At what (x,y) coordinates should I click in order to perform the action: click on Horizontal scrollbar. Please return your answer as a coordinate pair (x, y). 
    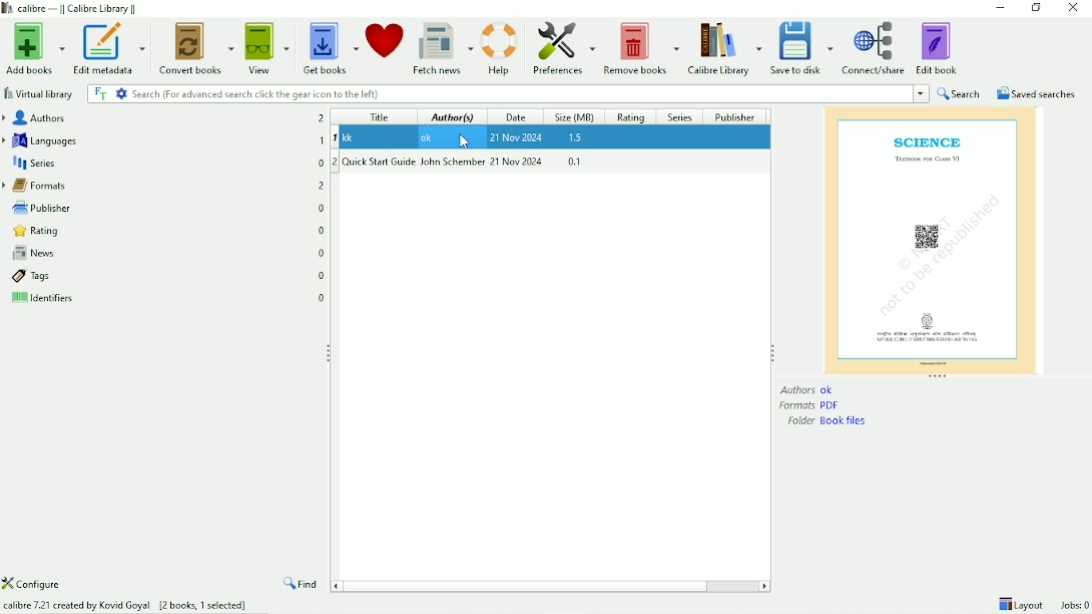
    Looking at the image, I should click on (531, 585).